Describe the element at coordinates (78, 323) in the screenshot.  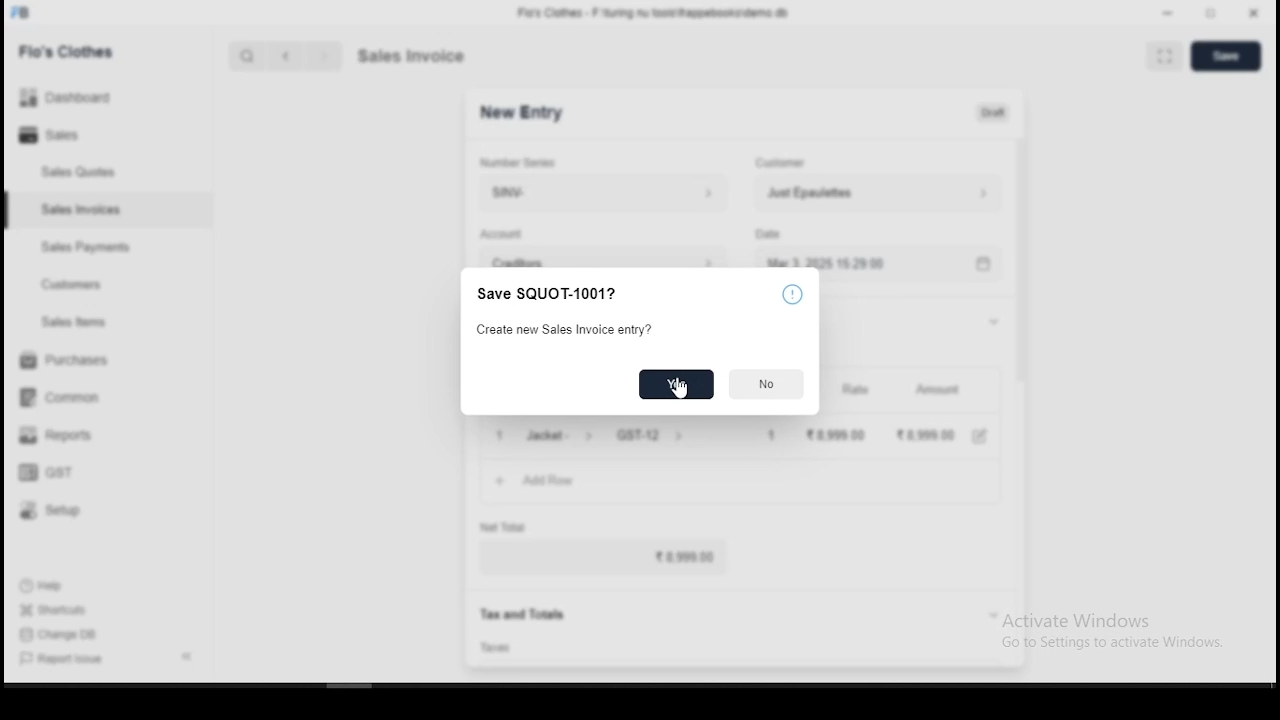
I see `ales items` at that location.